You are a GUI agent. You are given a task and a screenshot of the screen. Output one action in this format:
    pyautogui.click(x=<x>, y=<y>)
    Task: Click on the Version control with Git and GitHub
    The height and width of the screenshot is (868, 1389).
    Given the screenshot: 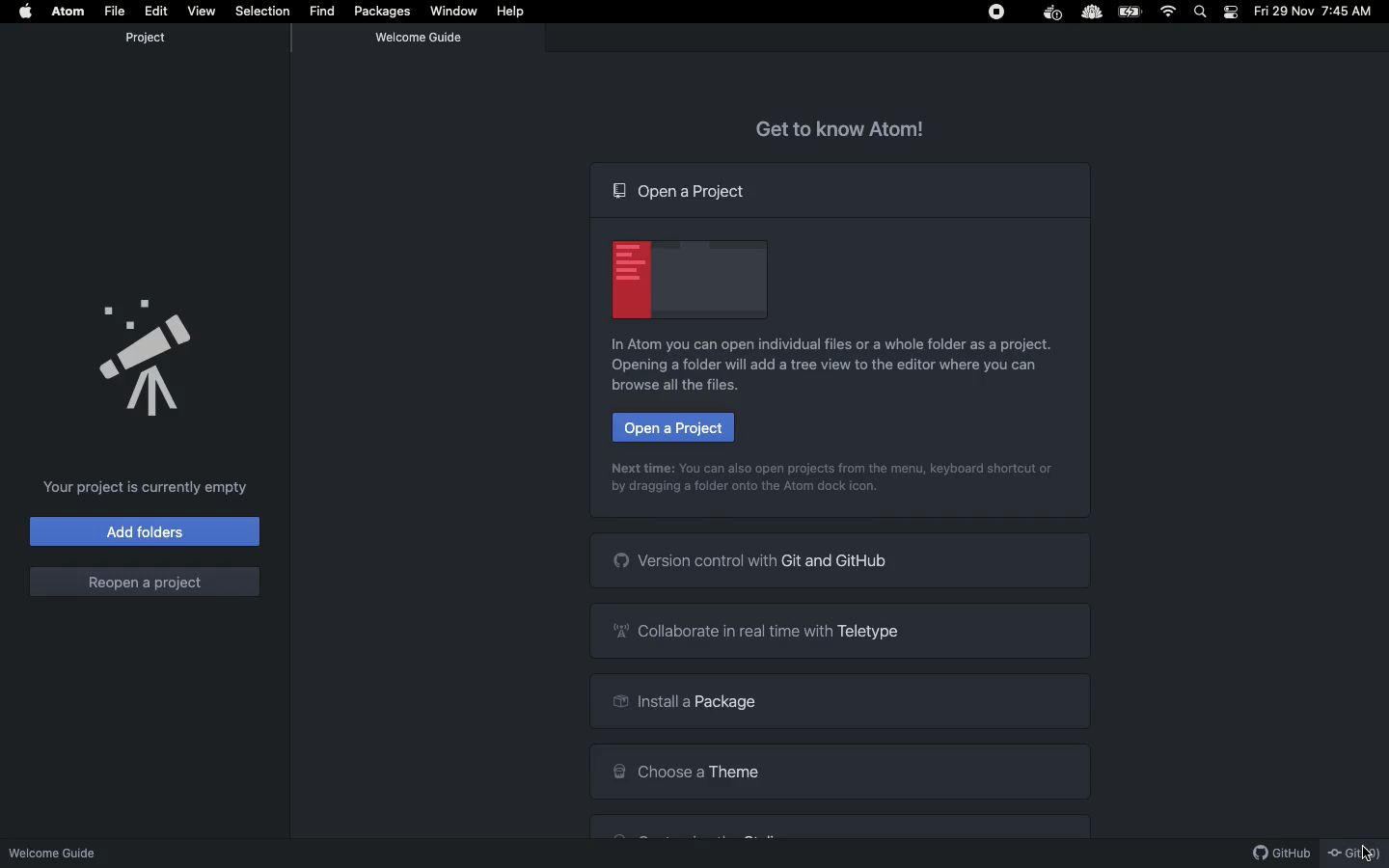 What is the action you would take?
    pyautogui.click(x=845, y=563)
    